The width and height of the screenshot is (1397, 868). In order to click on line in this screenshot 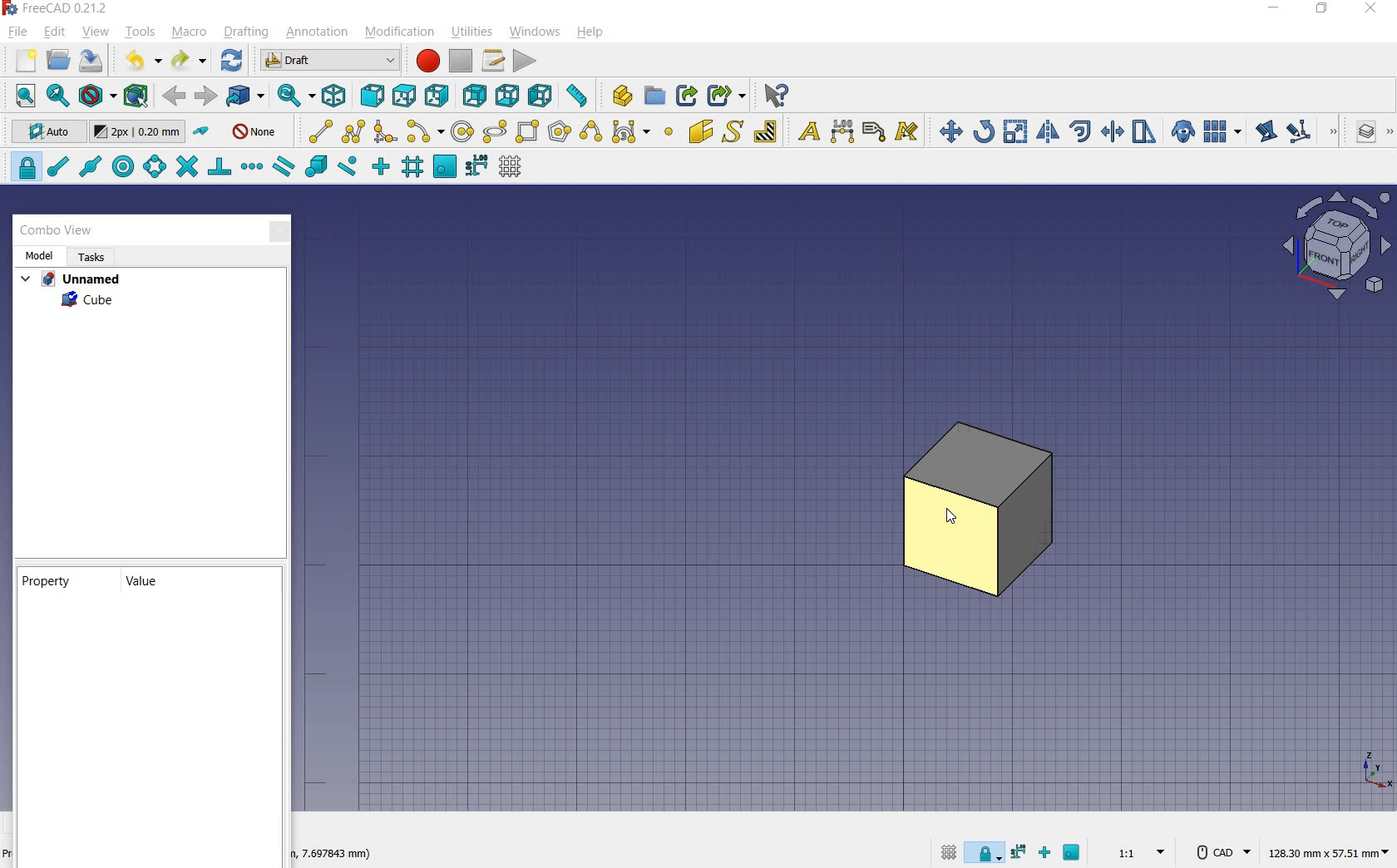, I will do `click(316, 131)`.